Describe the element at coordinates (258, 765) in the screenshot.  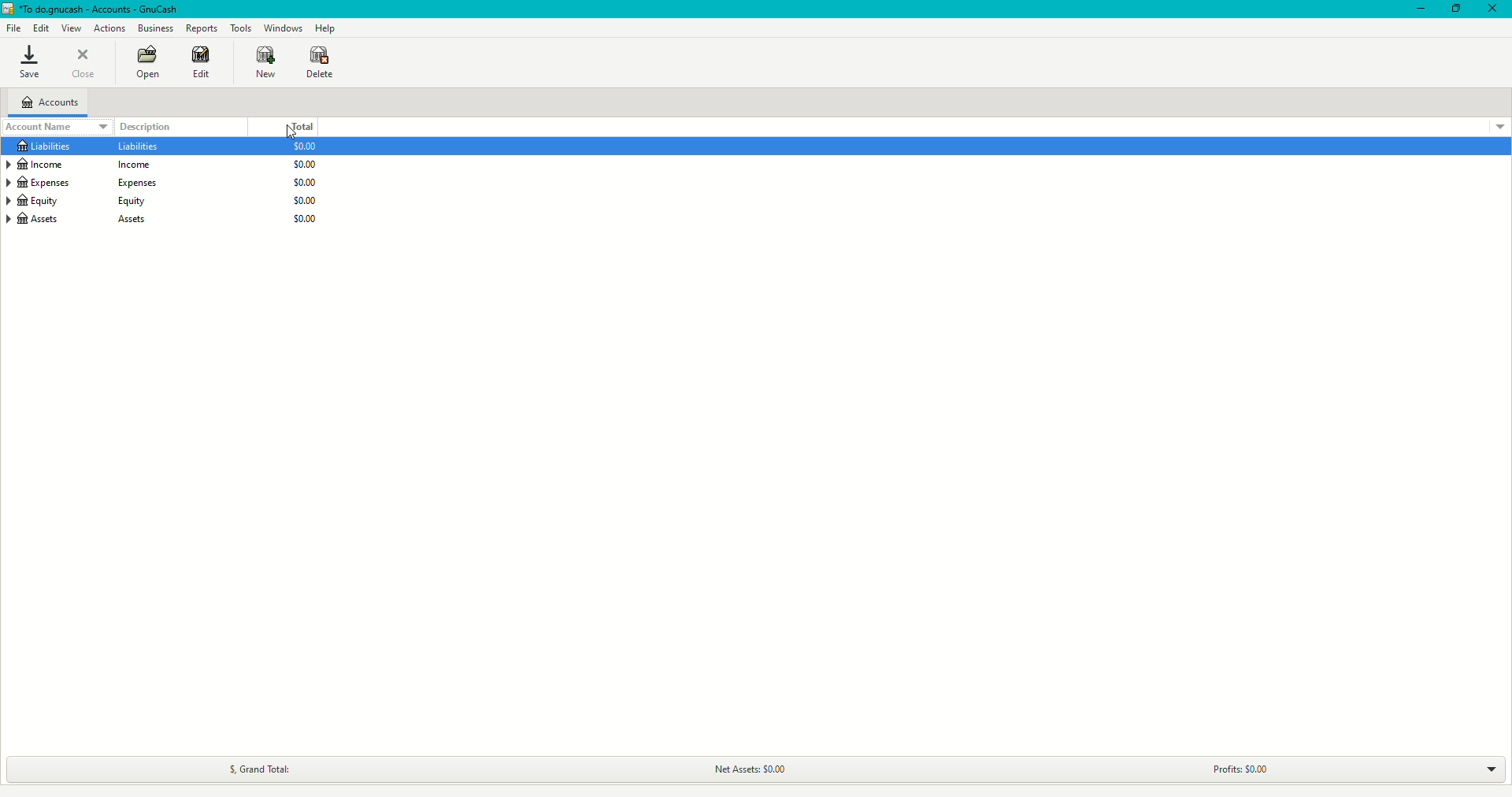
I see `Grand Total` at that location.